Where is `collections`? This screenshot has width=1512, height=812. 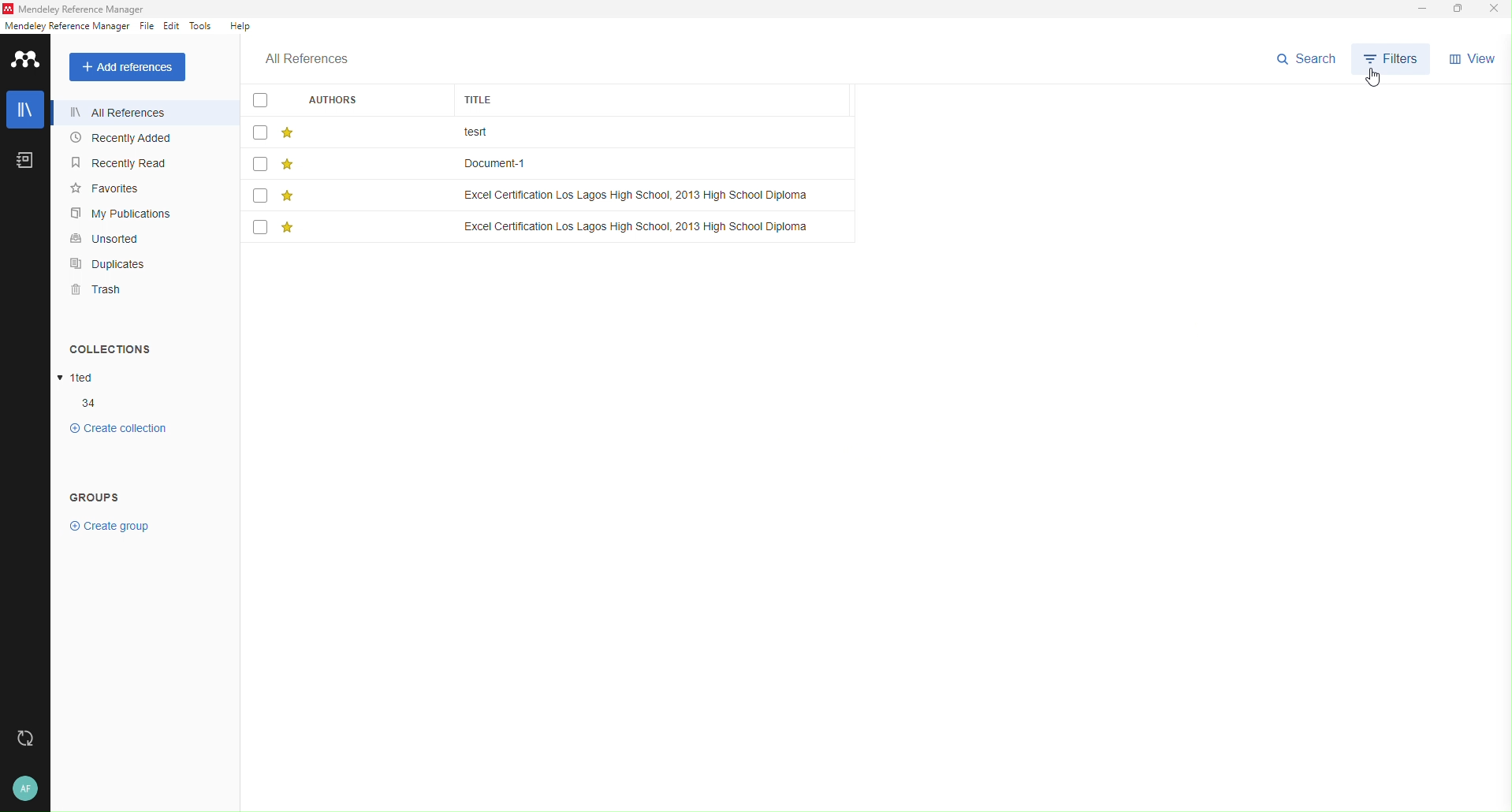 collections is located at coordinates (112, 349).